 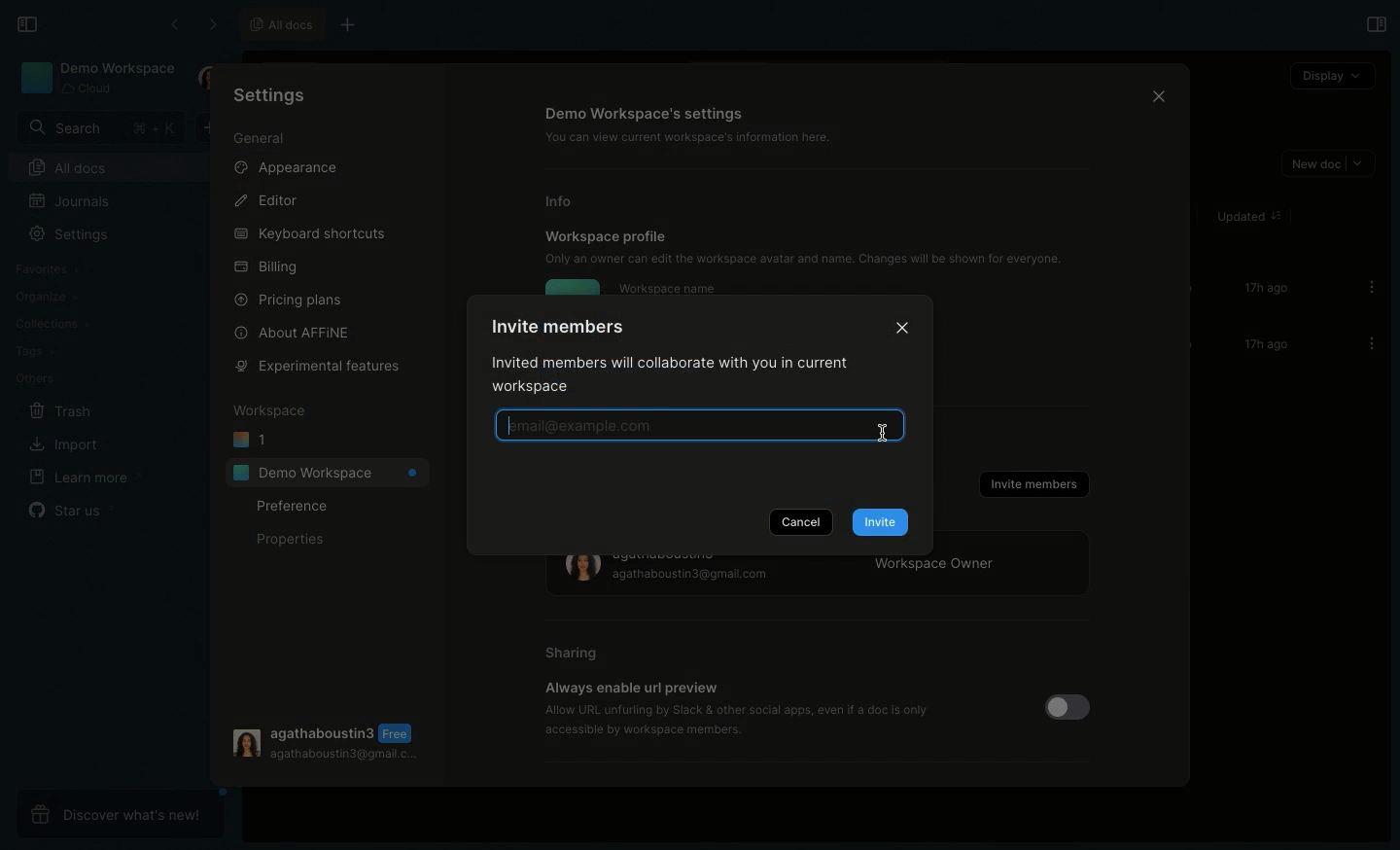 I want to click on User, so click(x=326, y=741).